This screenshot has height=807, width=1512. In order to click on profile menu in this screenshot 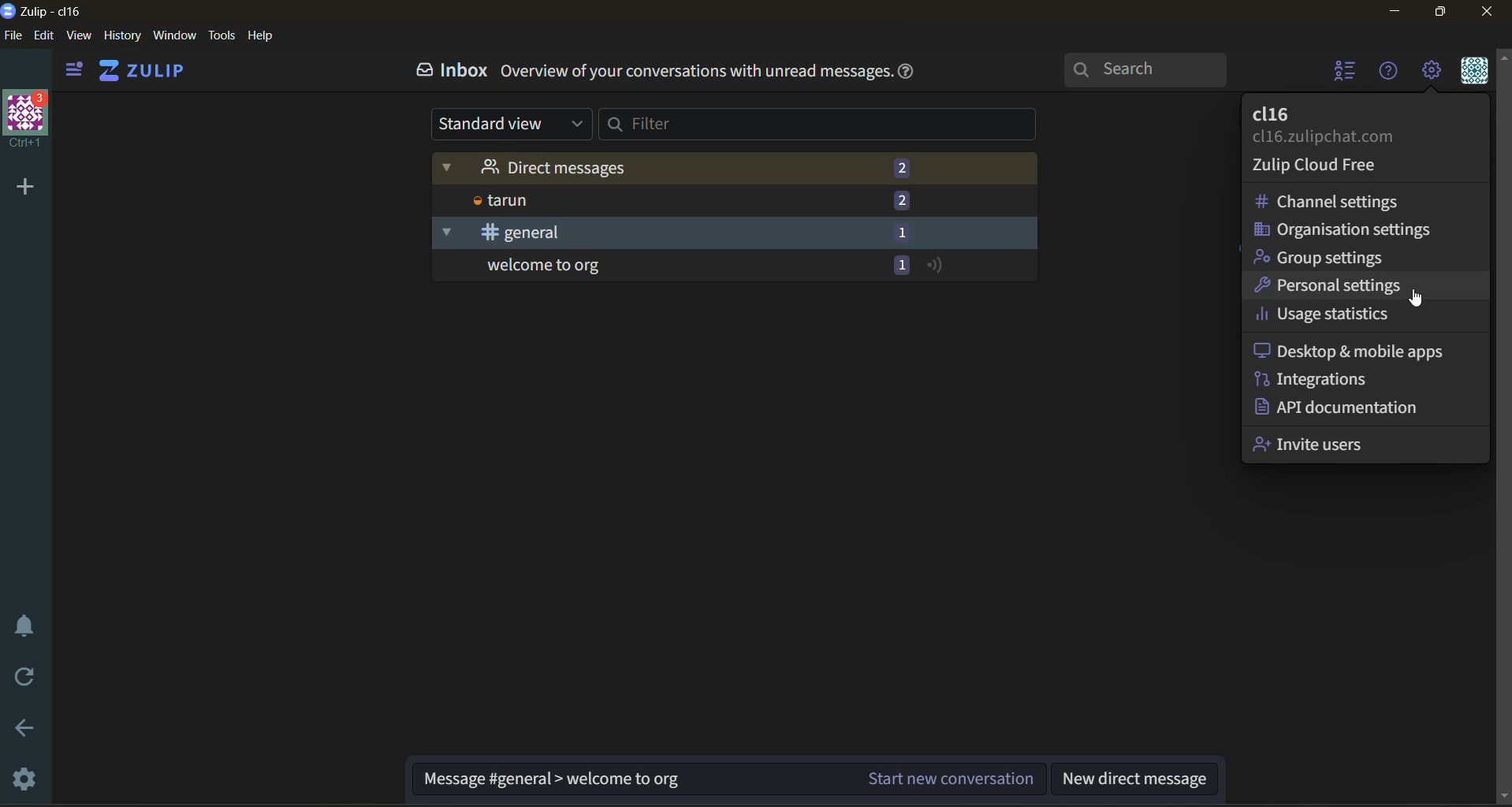, I will do `click(1472, 71)`.